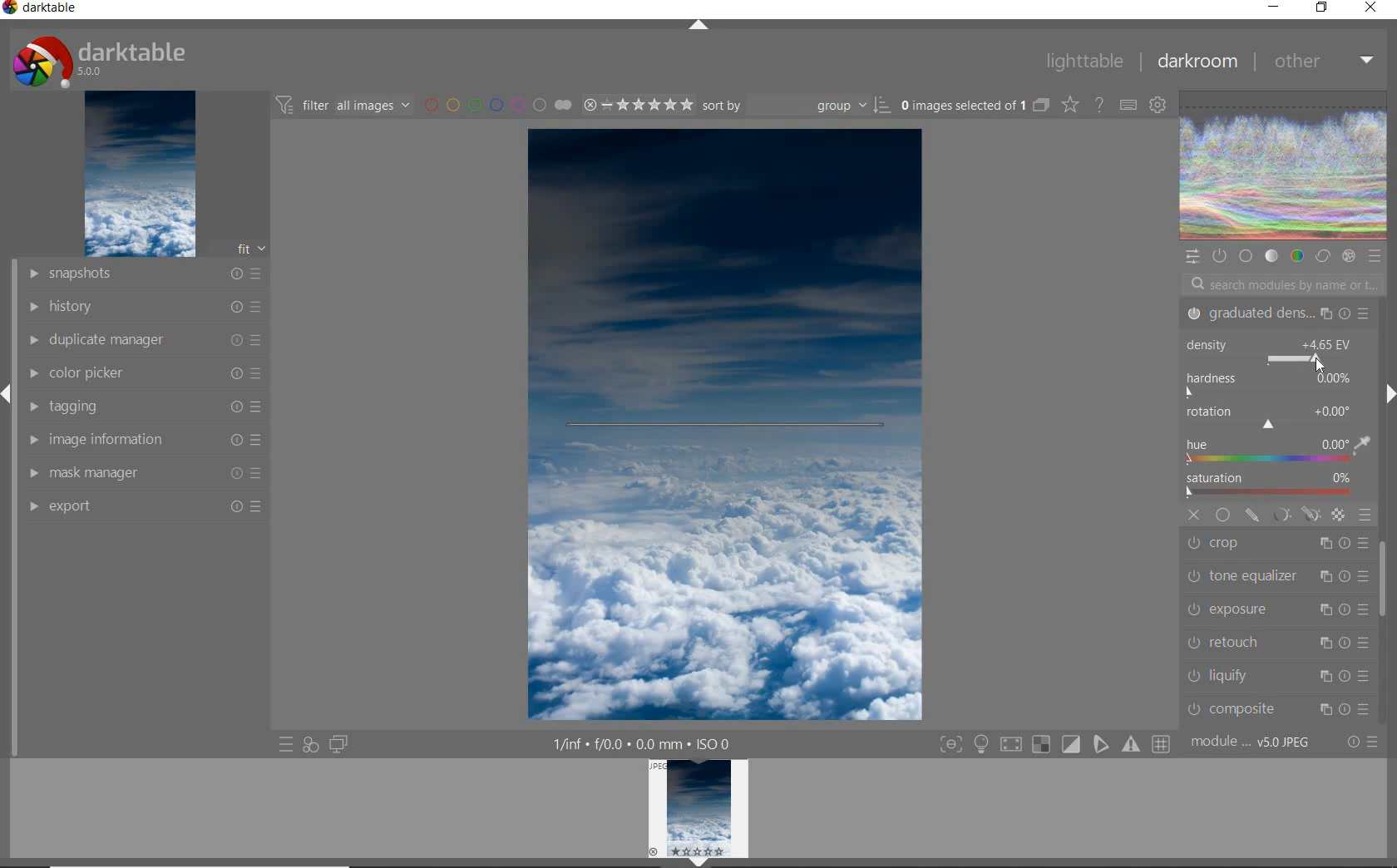 The height and width of the screenshot is (868, 1397). What do you see at coordinates (241, 249) in the screenshot?
I see `fit` at bounding box center [241, 249].